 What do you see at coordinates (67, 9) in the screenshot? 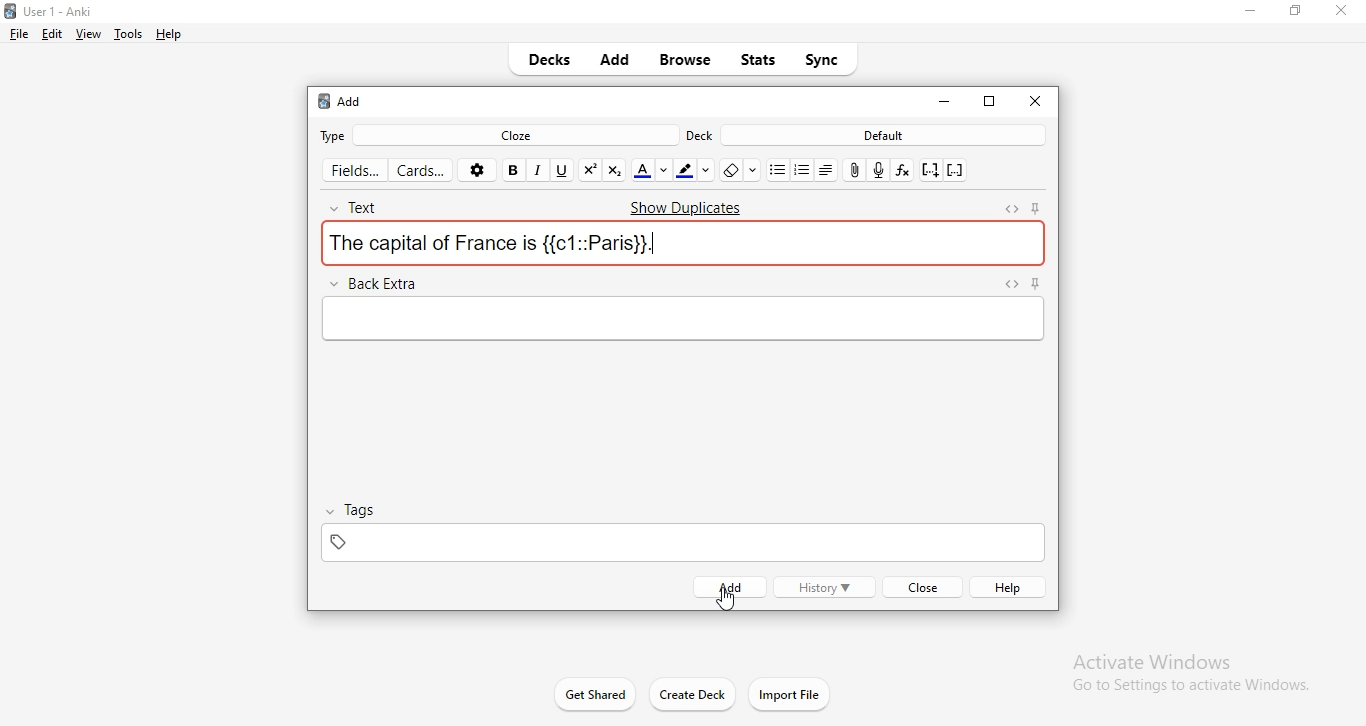
I see `Anki` at bounding box center [67, 9].